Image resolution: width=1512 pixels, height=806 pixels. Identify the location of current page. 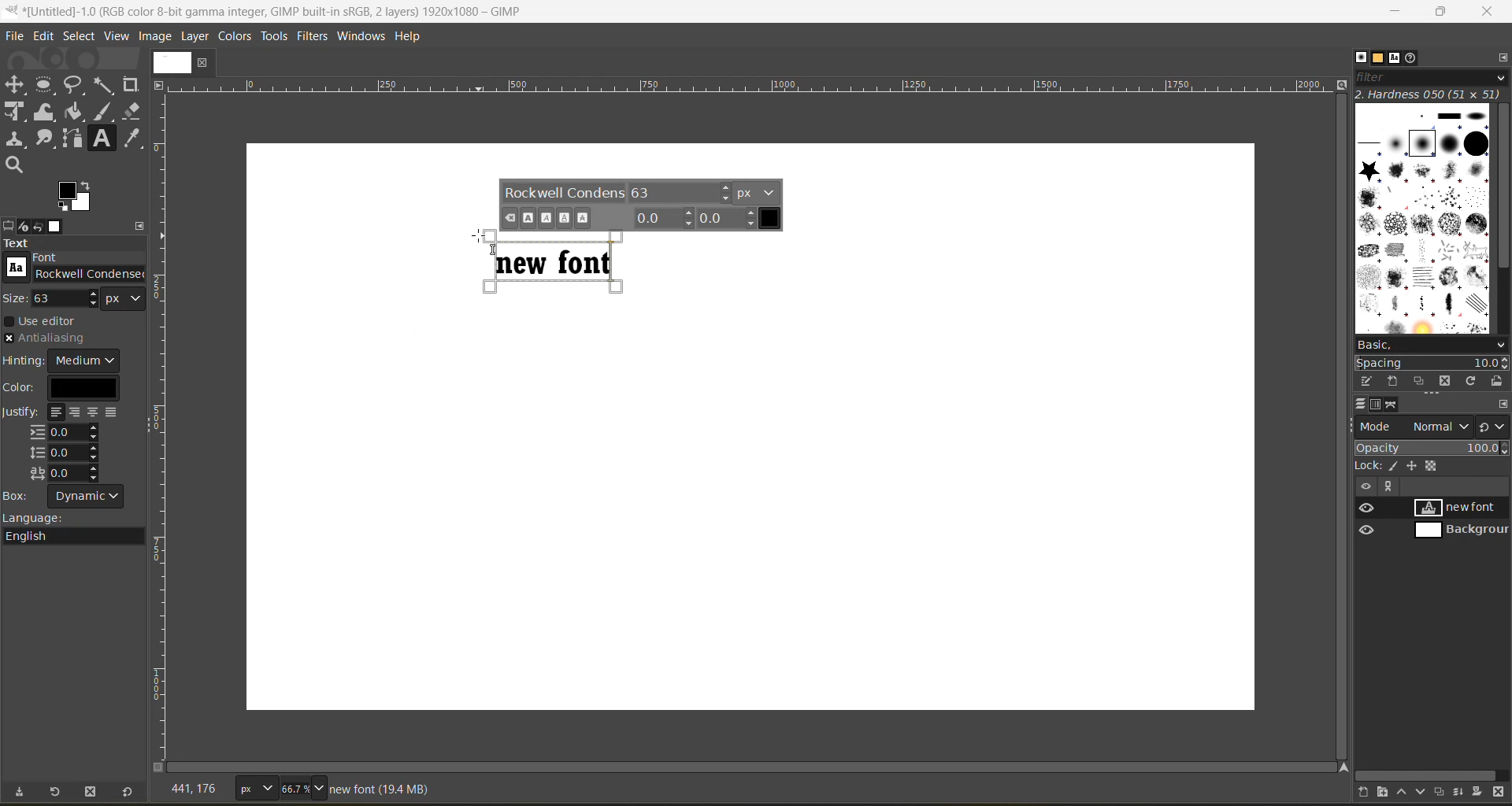
(183, 61).